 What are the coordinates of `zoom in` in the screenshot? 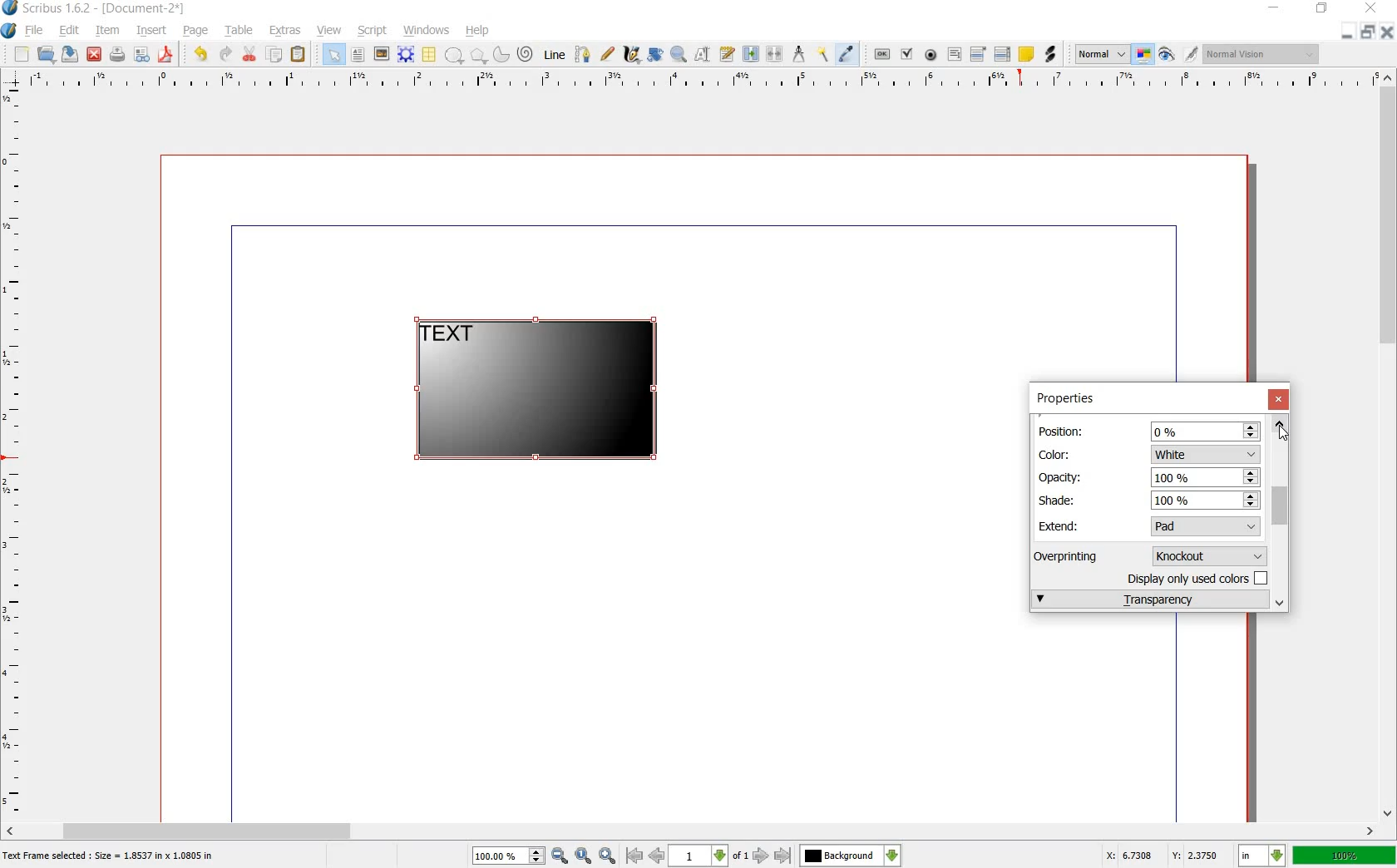 It's located at (608, 856).